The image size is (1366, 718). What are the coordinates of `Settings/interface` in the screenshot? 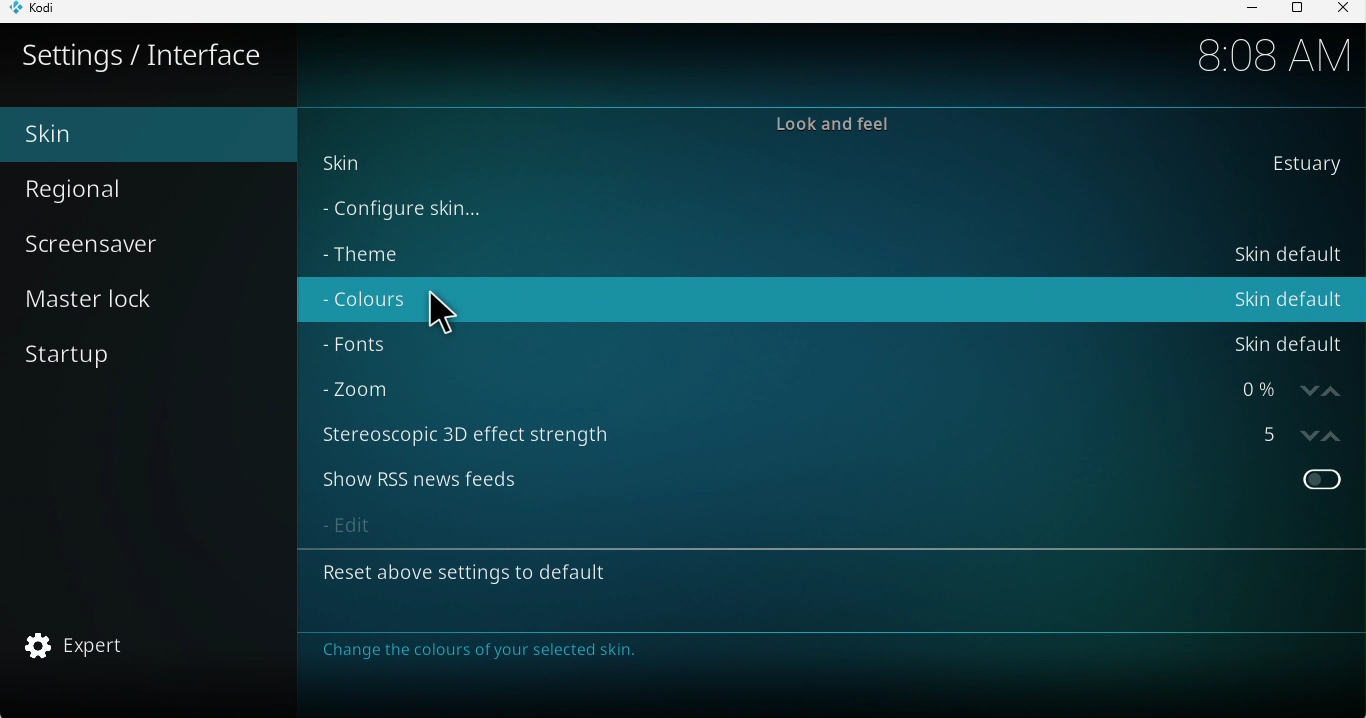 It's located at (143, 54).